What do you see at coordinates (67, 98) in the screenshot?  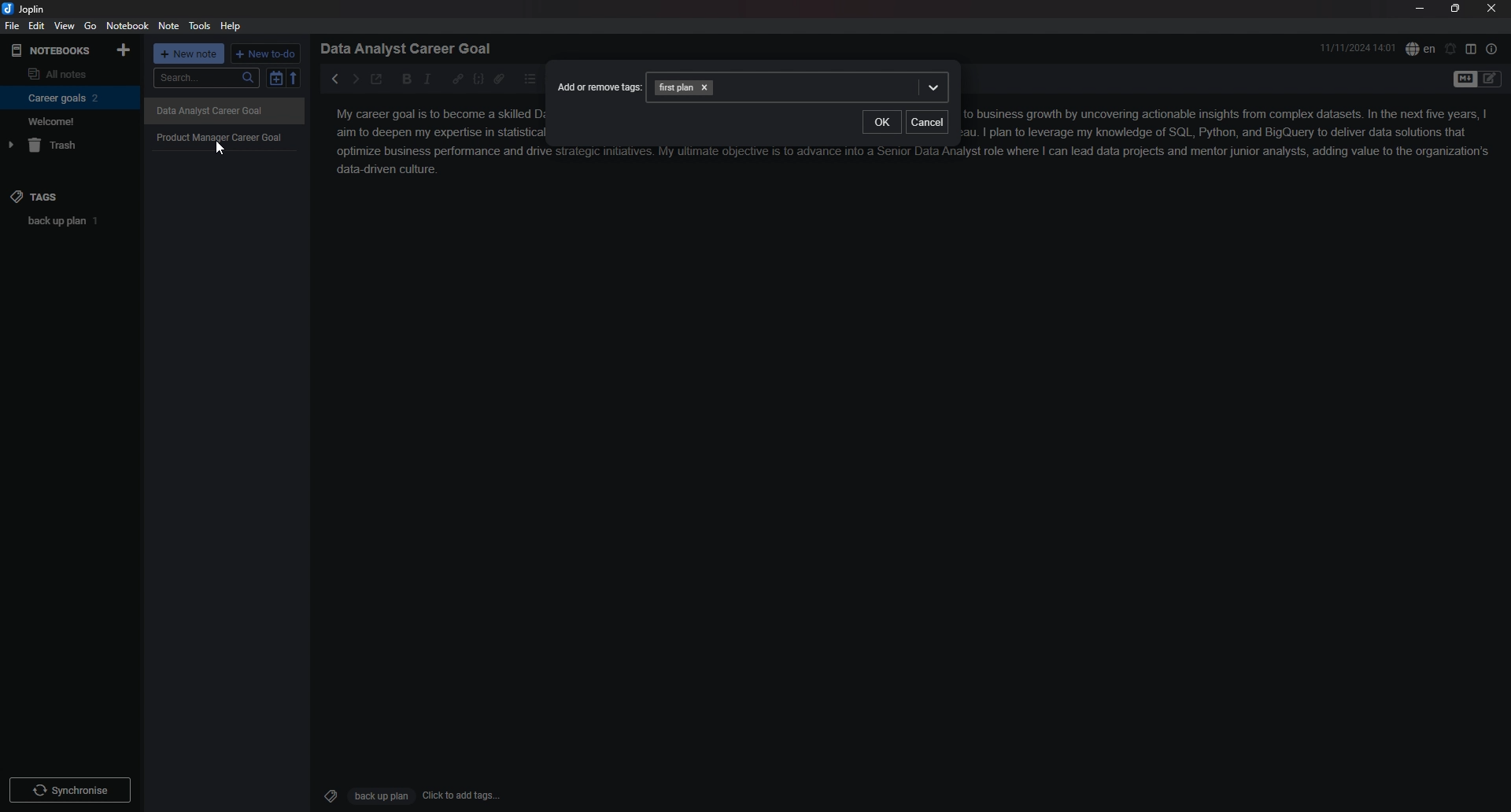 I see `Career goals 2` at bounding box center [67, 98].